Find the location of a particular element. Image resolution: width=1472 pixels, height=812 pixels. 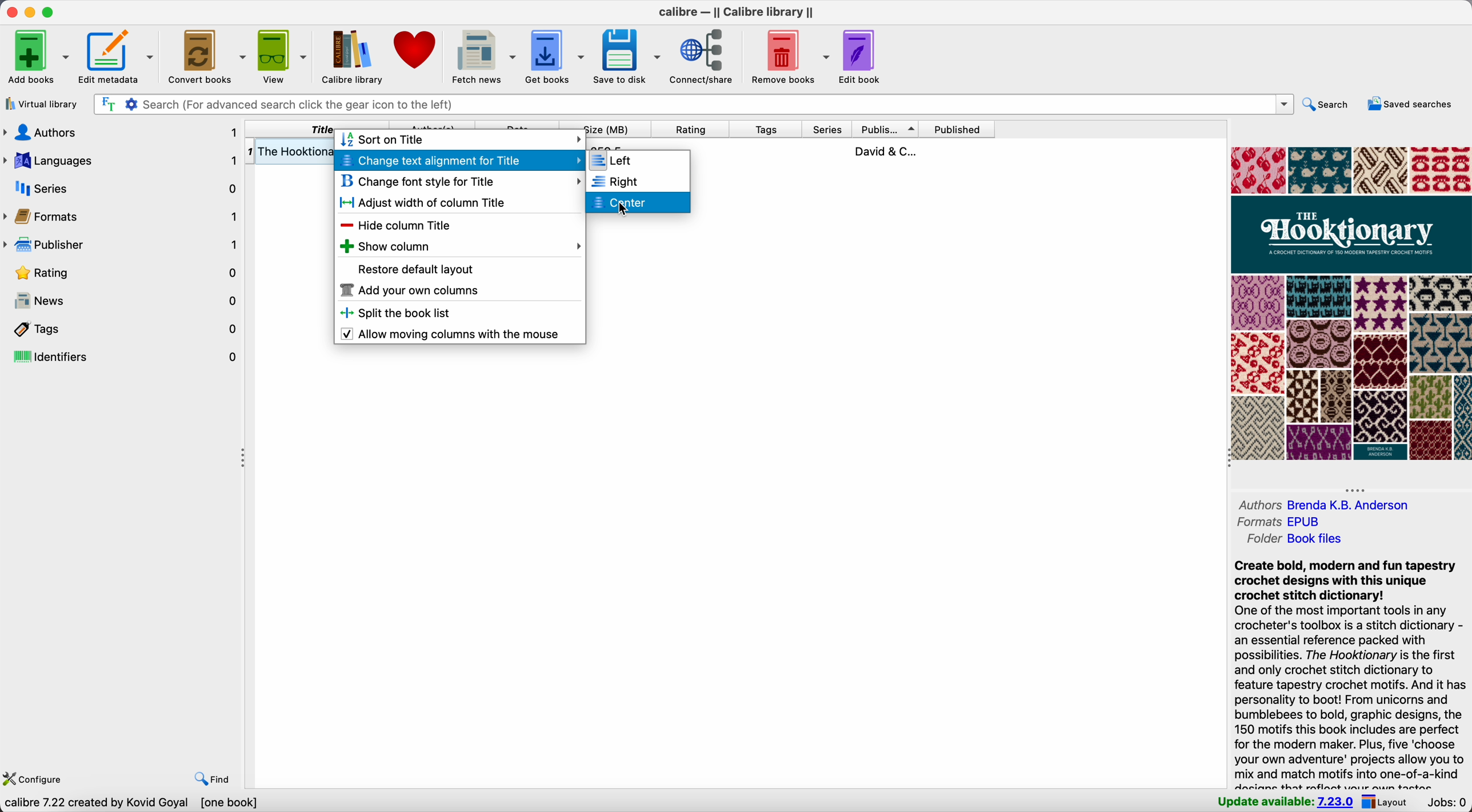

adjust width of column title is located at coordinates (427, 203).